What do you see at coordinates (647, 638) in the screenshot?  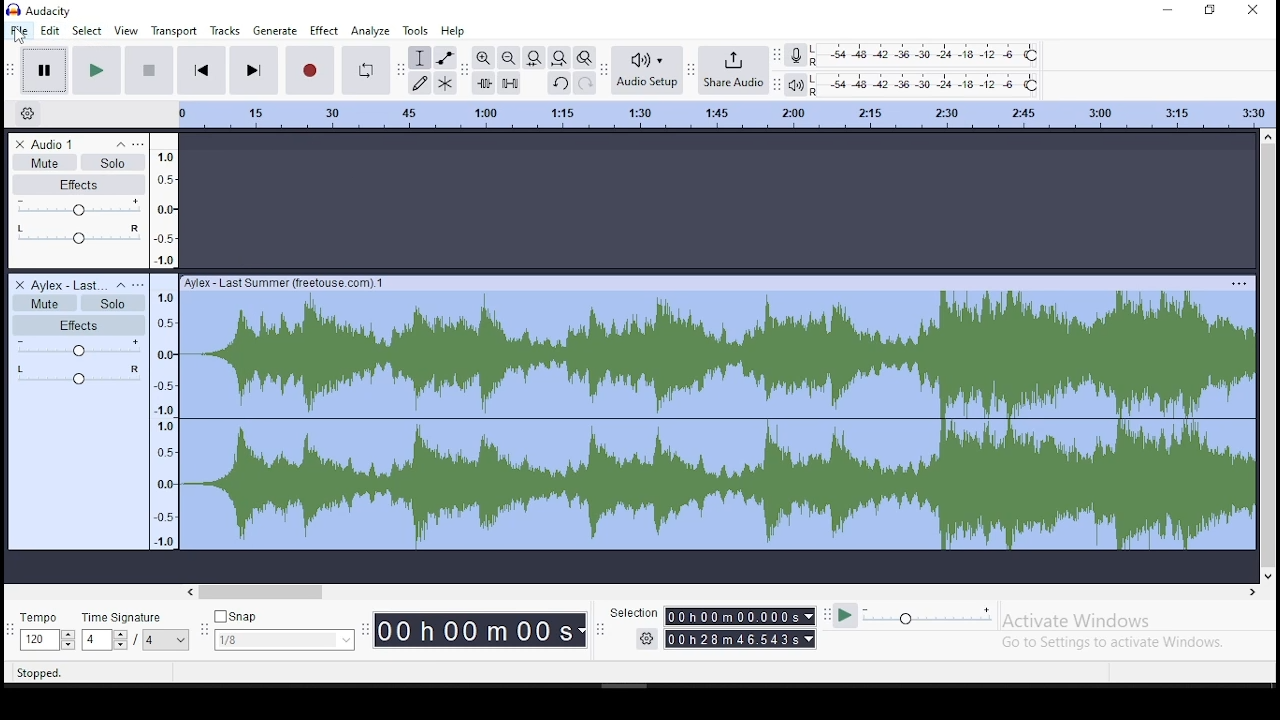 I see `settings` at bounding box center [647, 638].